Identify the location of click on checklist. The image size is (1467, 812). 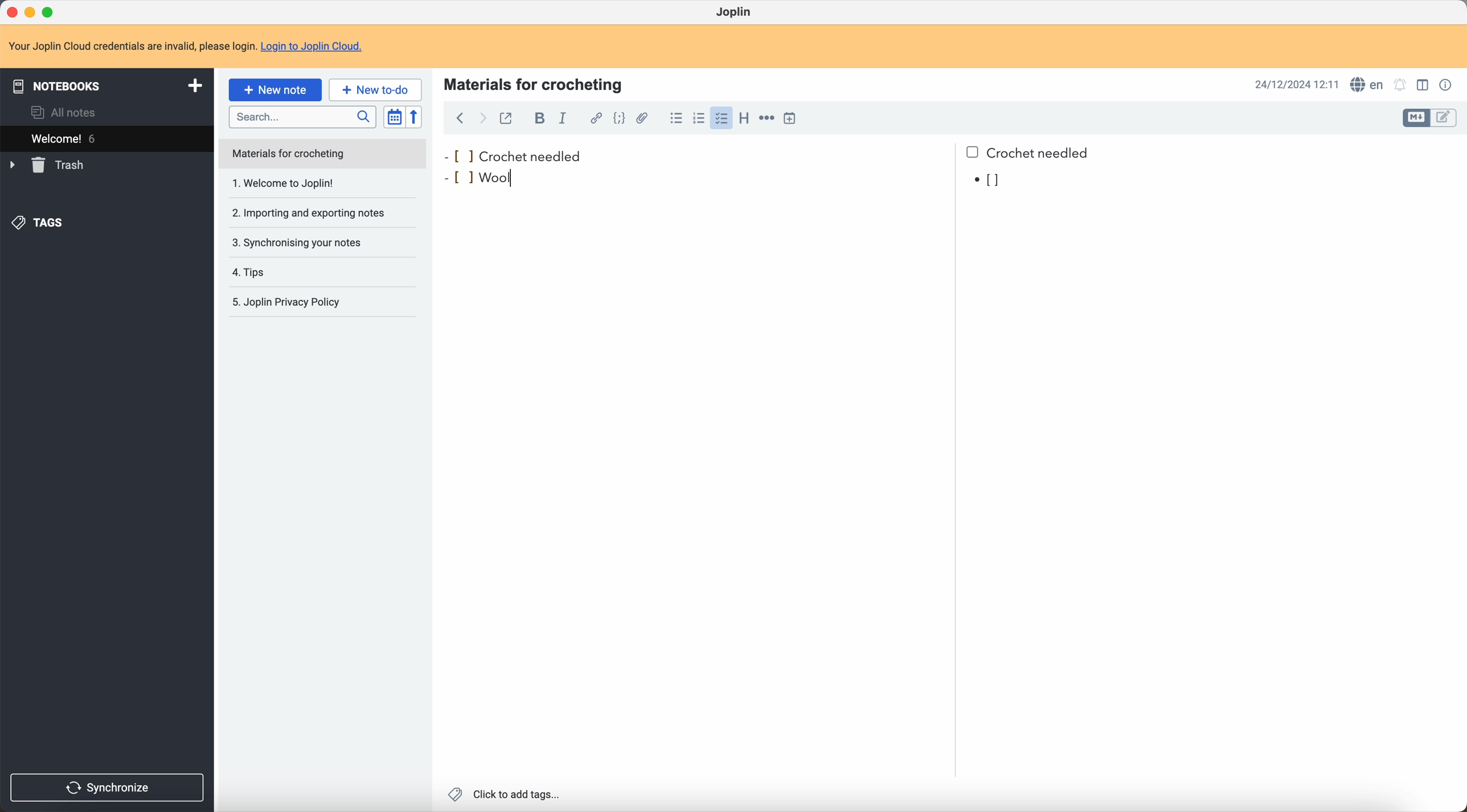
(719, 118).